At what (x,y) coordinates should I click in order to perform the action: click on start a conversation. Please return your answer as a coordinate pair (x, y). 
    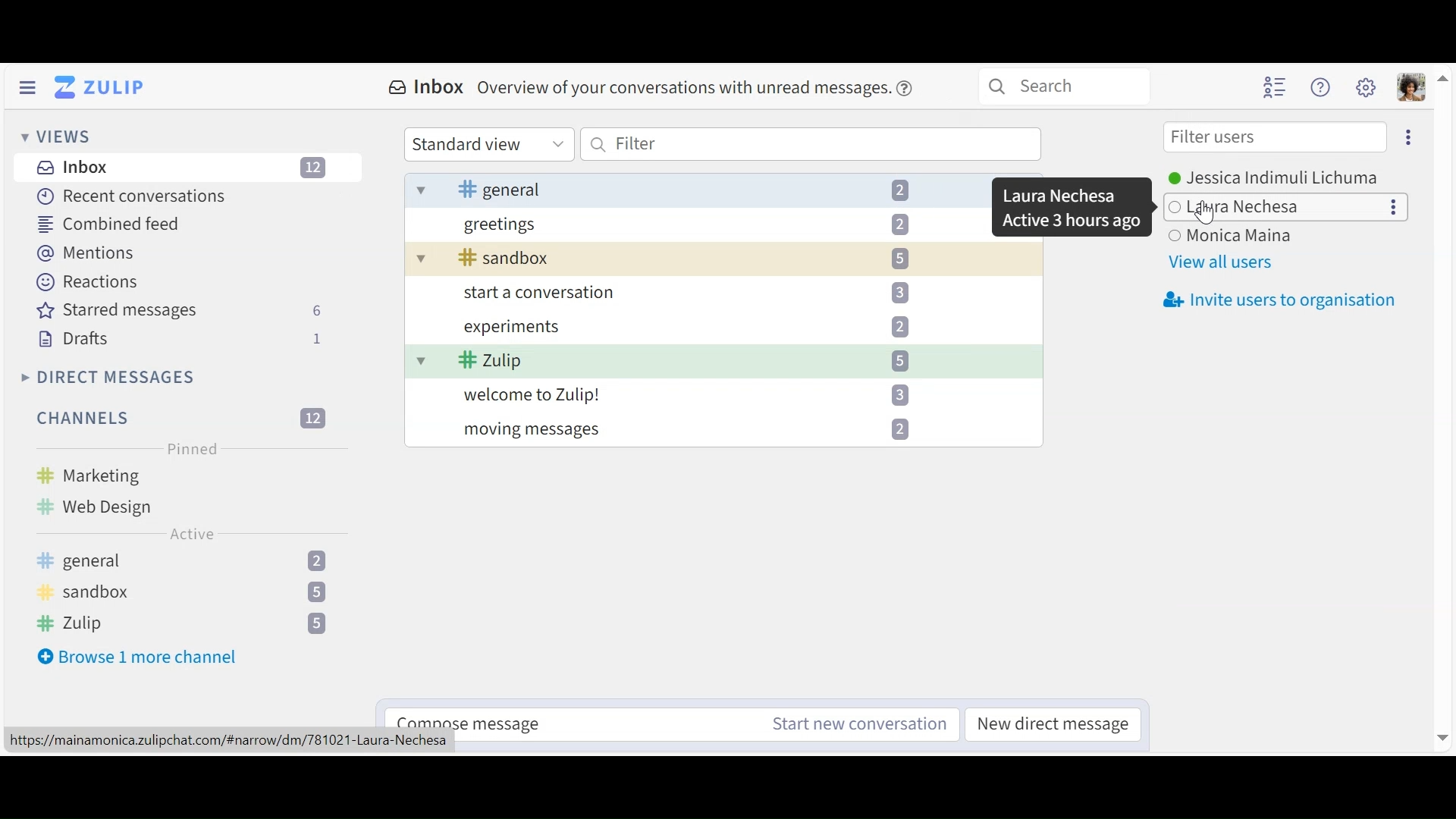
    Looking at the image, I should click on (680, 293).